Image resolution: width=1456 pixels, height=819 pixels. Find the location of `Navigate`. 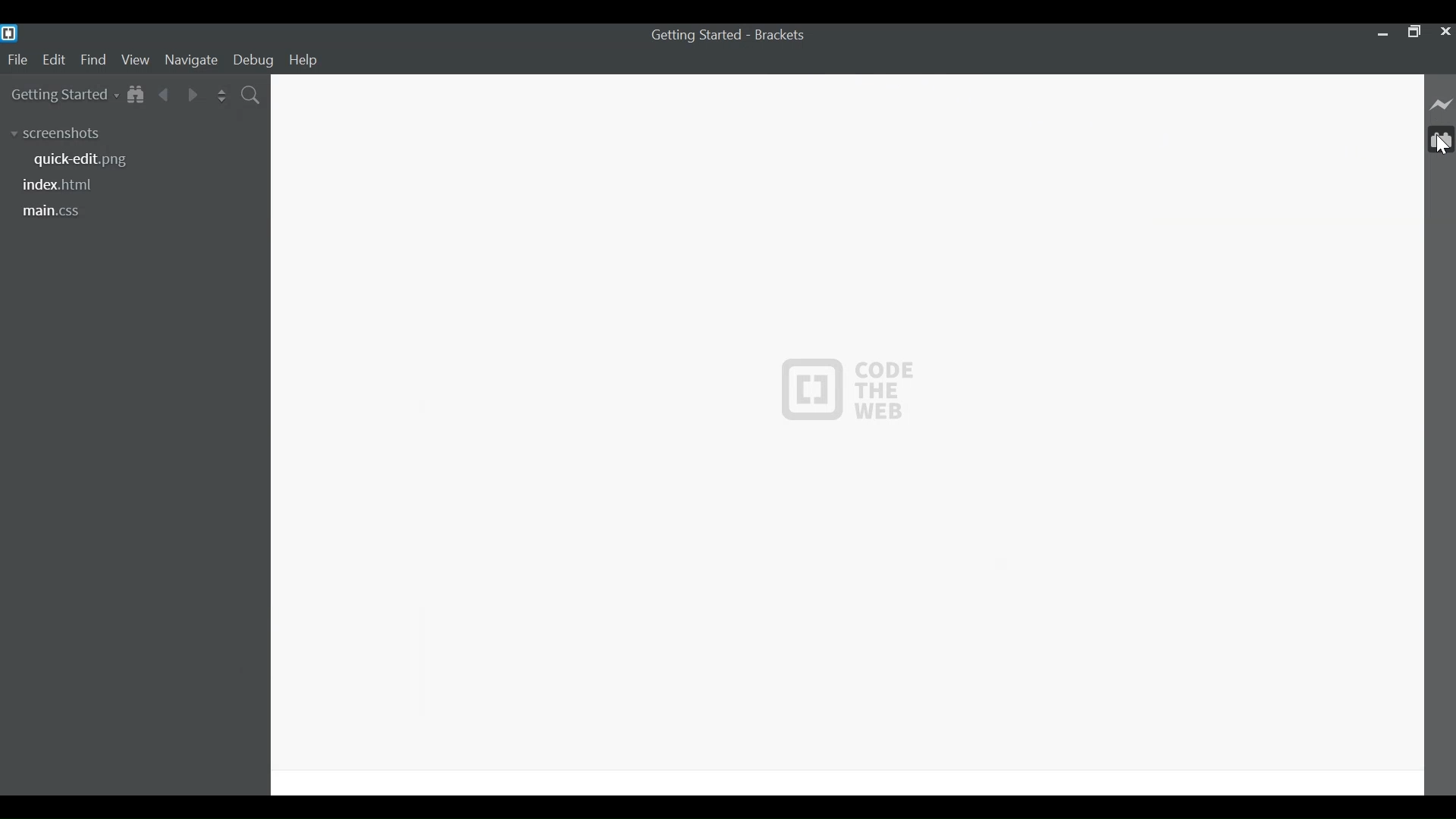

Navigate is located at coordinates (193, 61).